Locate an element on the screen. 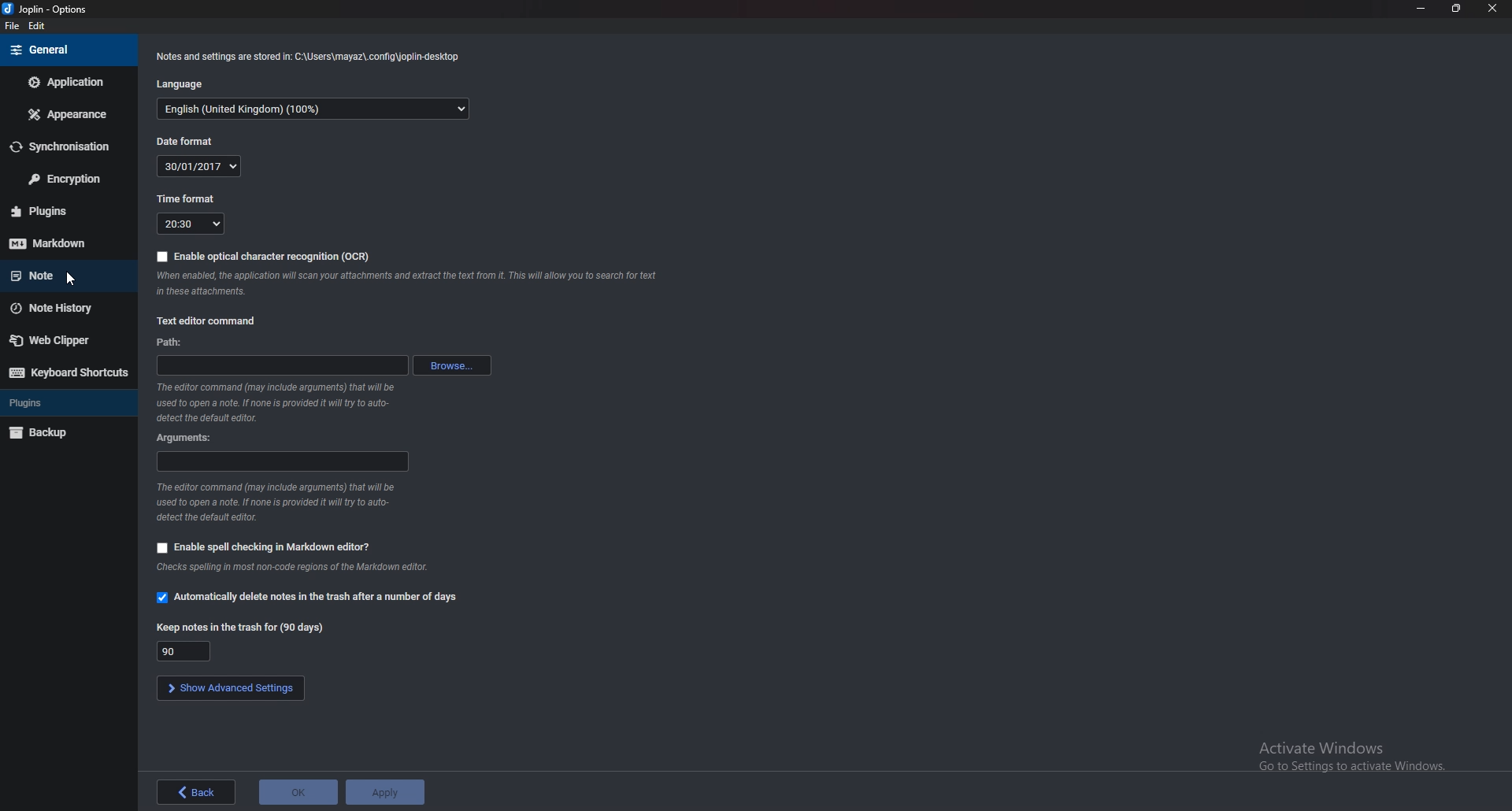  ok is located at coordinates (298, 791).